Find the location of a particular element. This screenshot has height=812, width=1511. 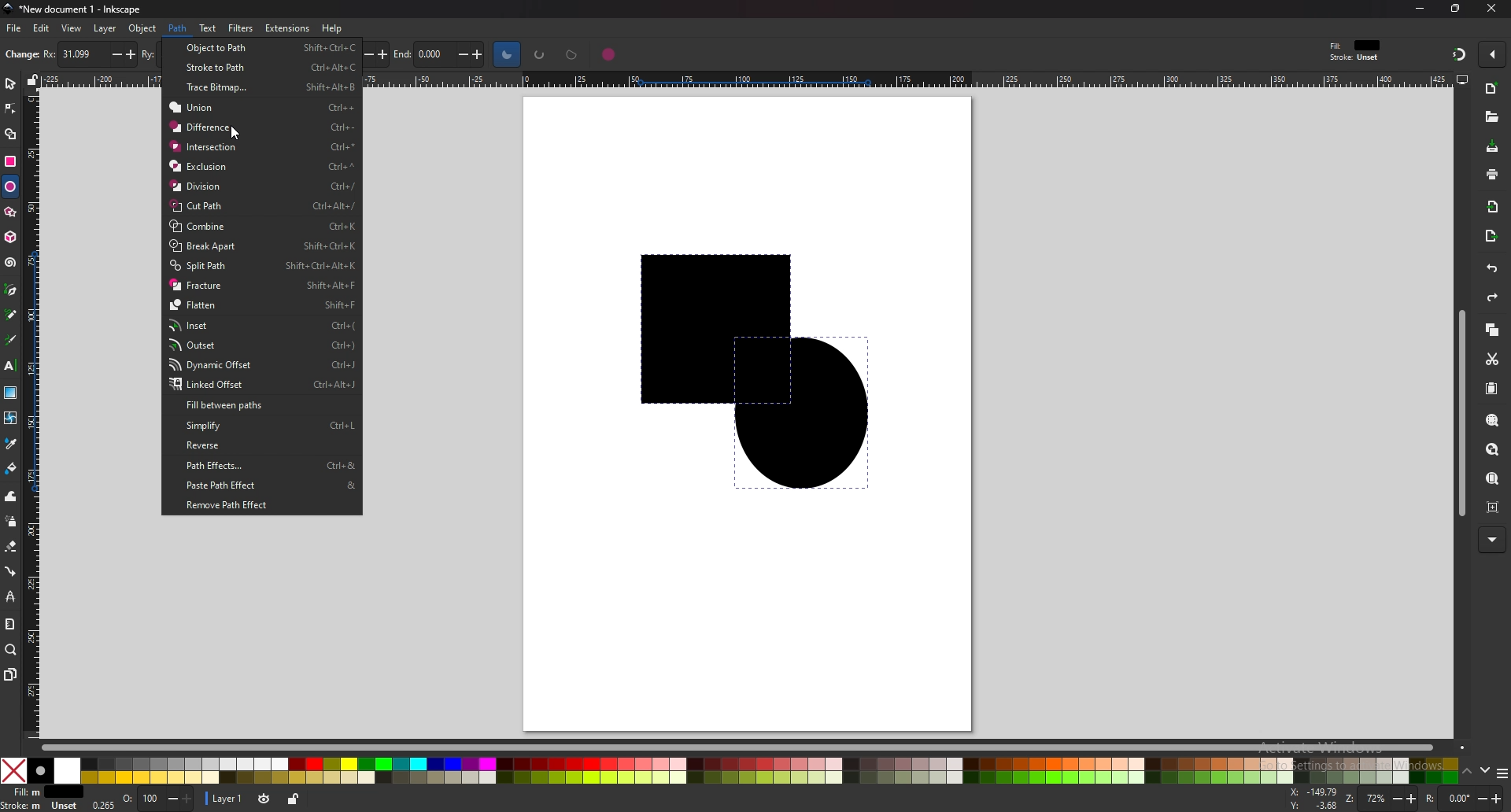

stroke is located at coordinates (42, 806).